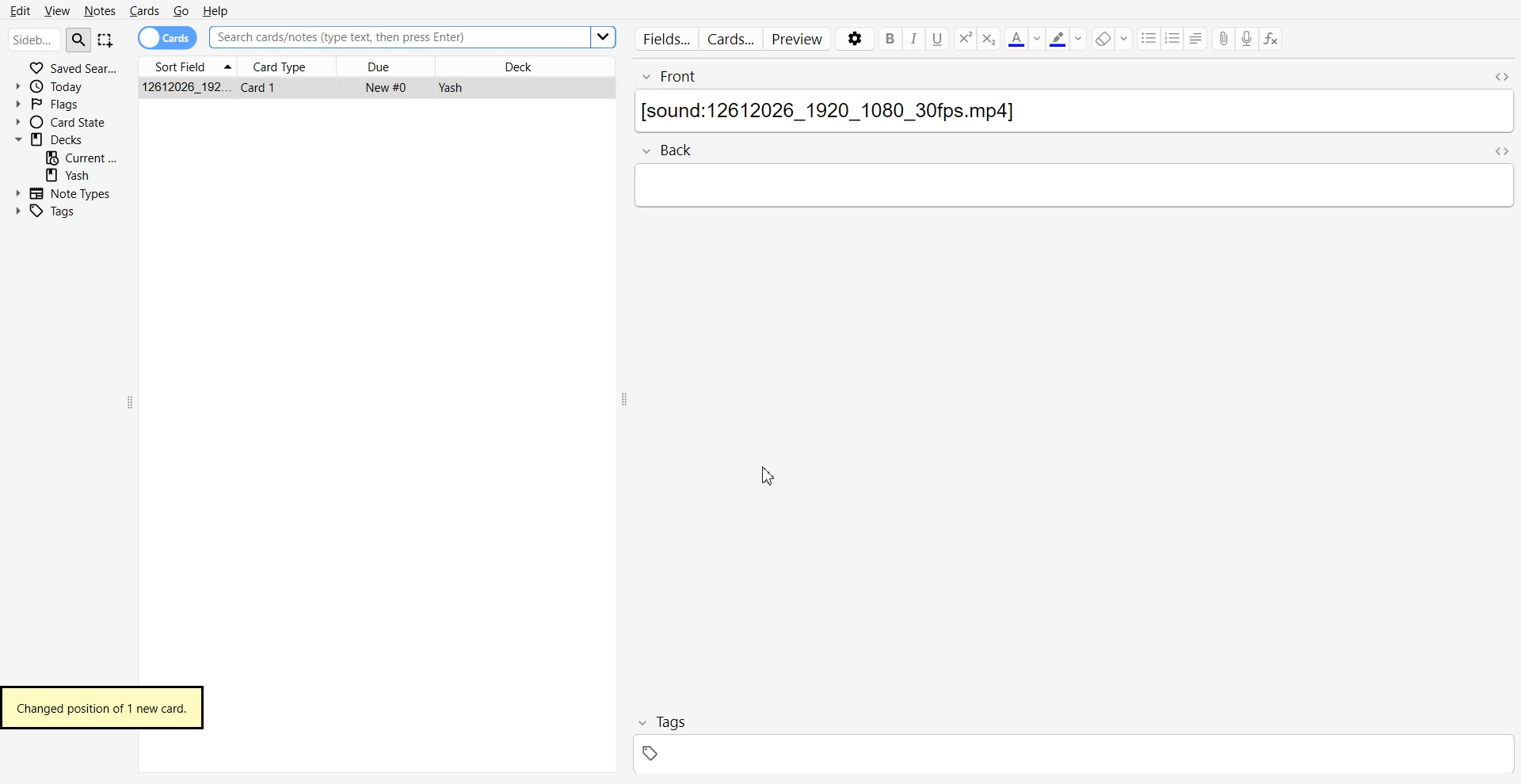 This screenshot has height=784, width=1521. Describe the element at coordinates (1503, 151) in the screenshot. I see `Toggle HTML Editor` at that location.